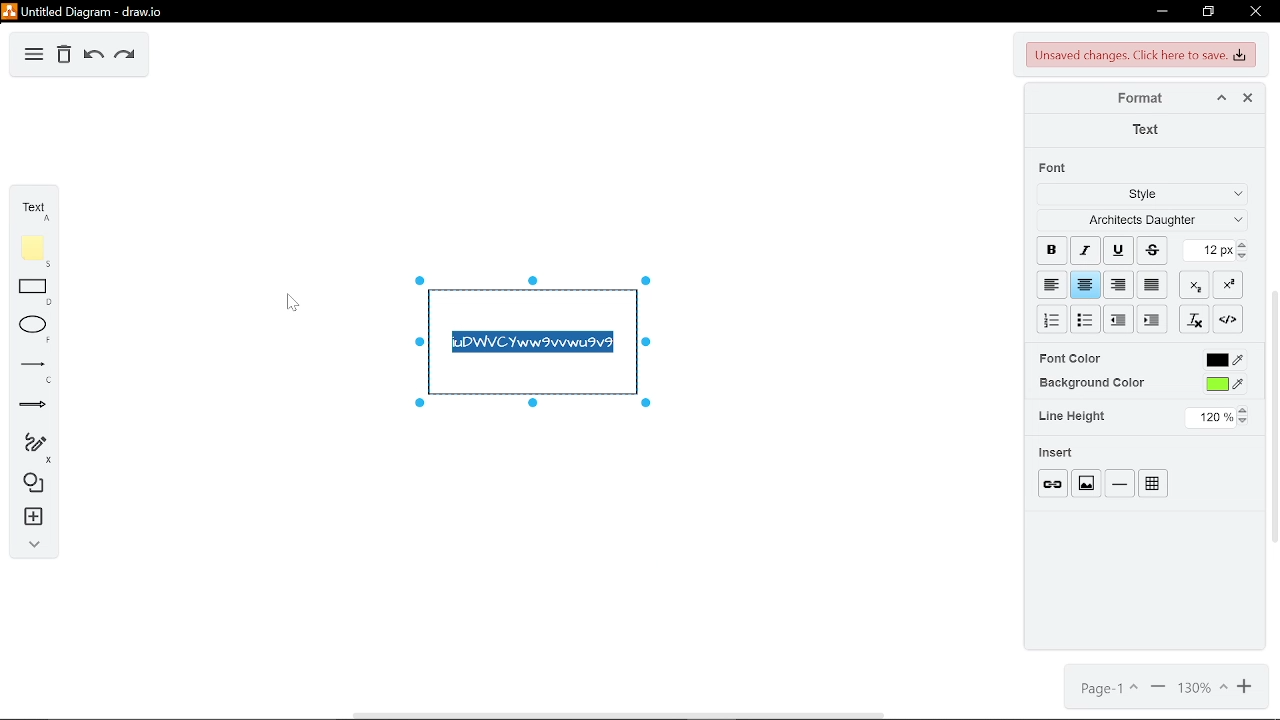 The width and height of the screenshot is (1280, 720). Describe the element at coordinates (1245, 245) in the screenshot. I see `Increase text size` at that location.